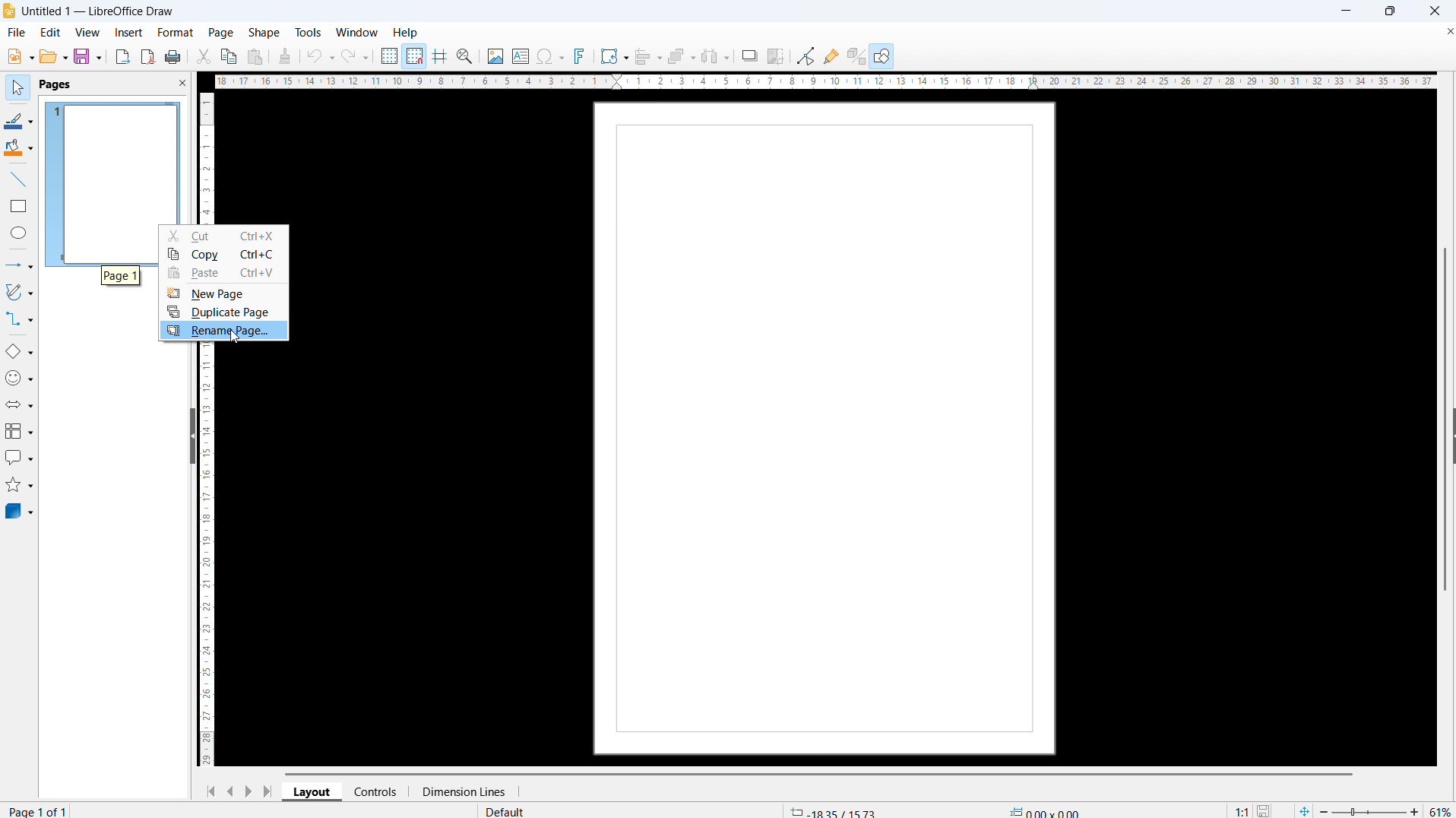 The width and height of the screenshot is (1456, 818). What do you see at coordinates (221, 33) in the screenshot?
I see `page` at bounding box center [221, 33].